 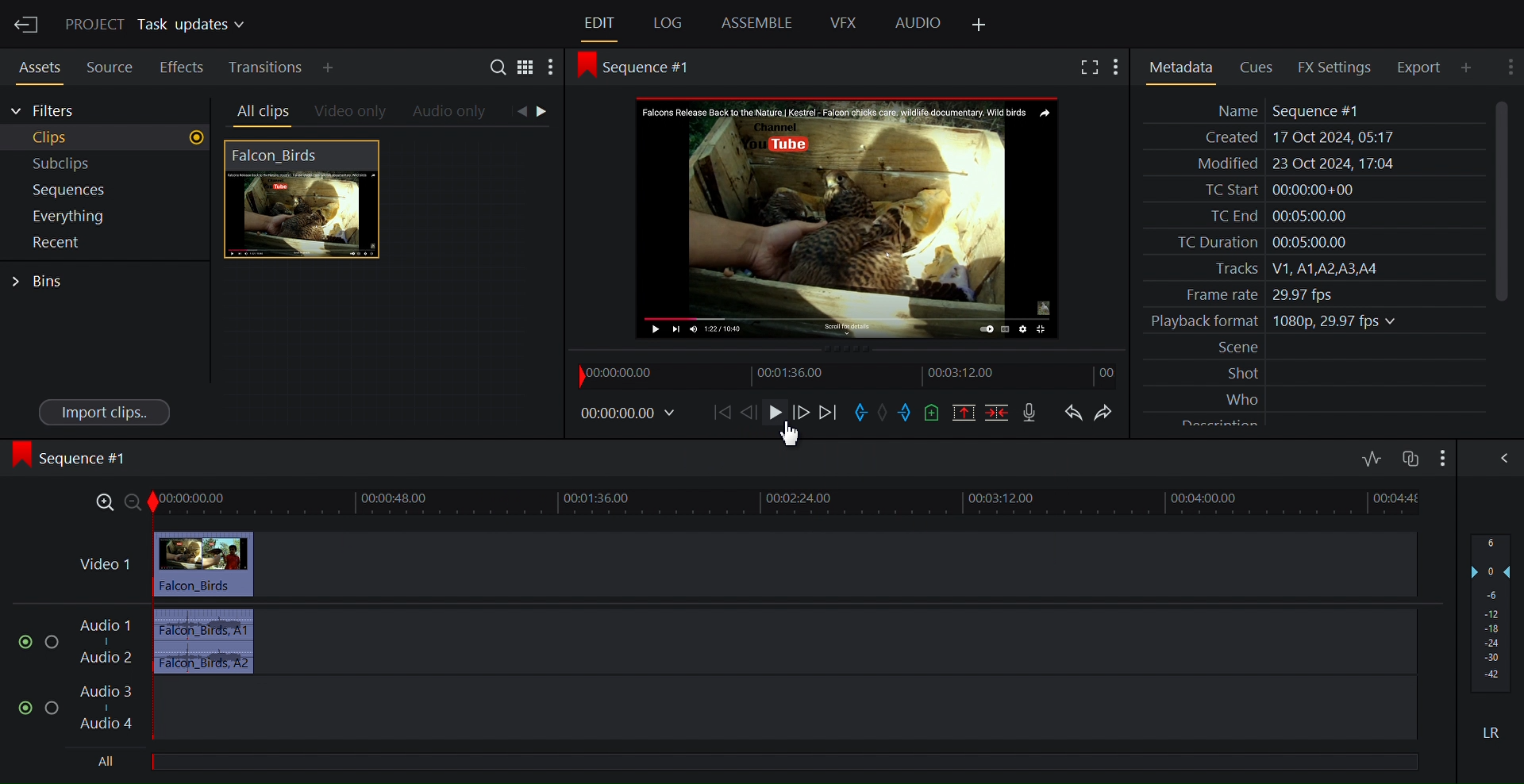 I want to click on Edit, so click(x=601, y=24).